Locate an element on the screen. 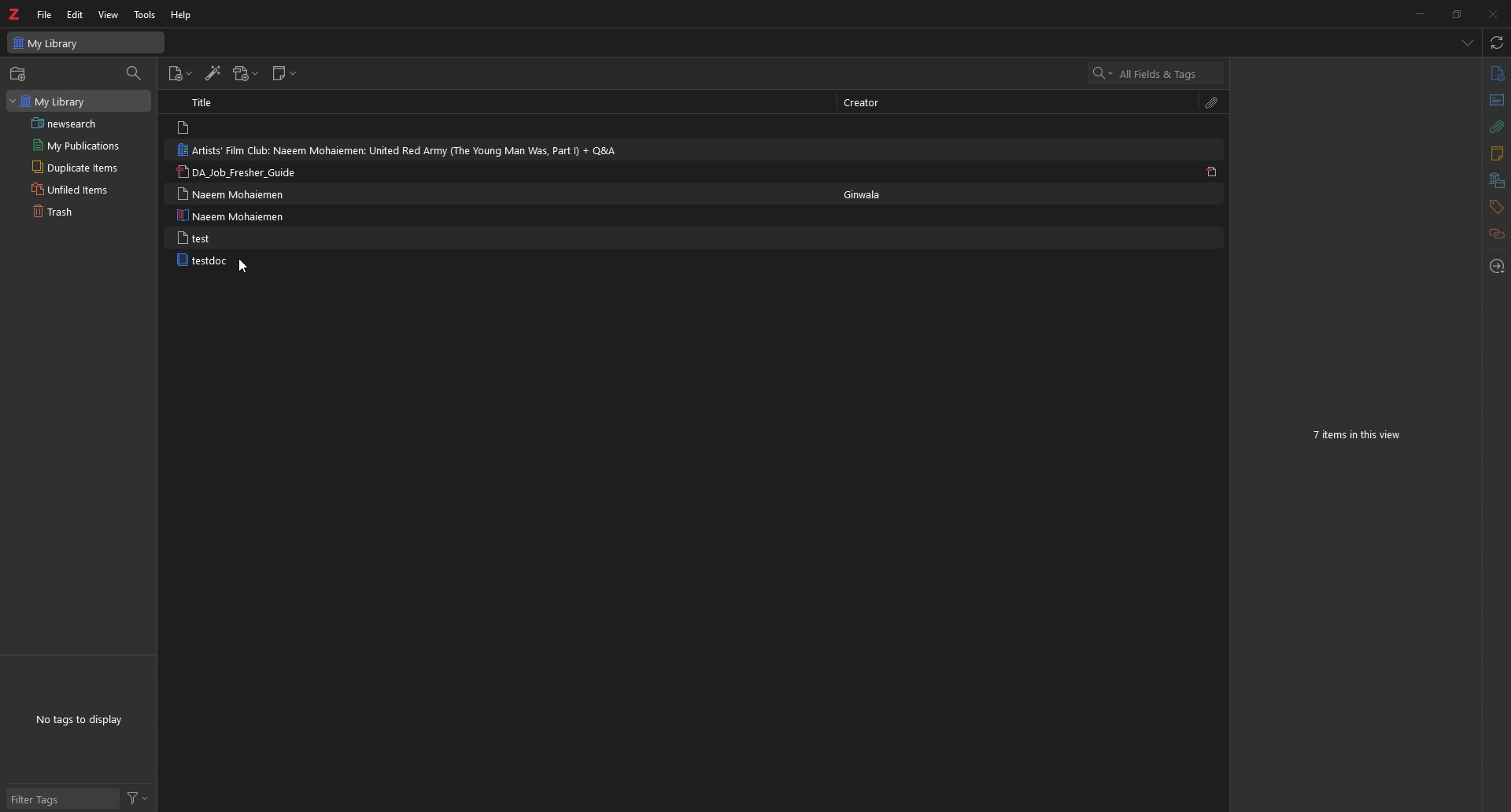  filter tags is located at coordinates (36, 800).